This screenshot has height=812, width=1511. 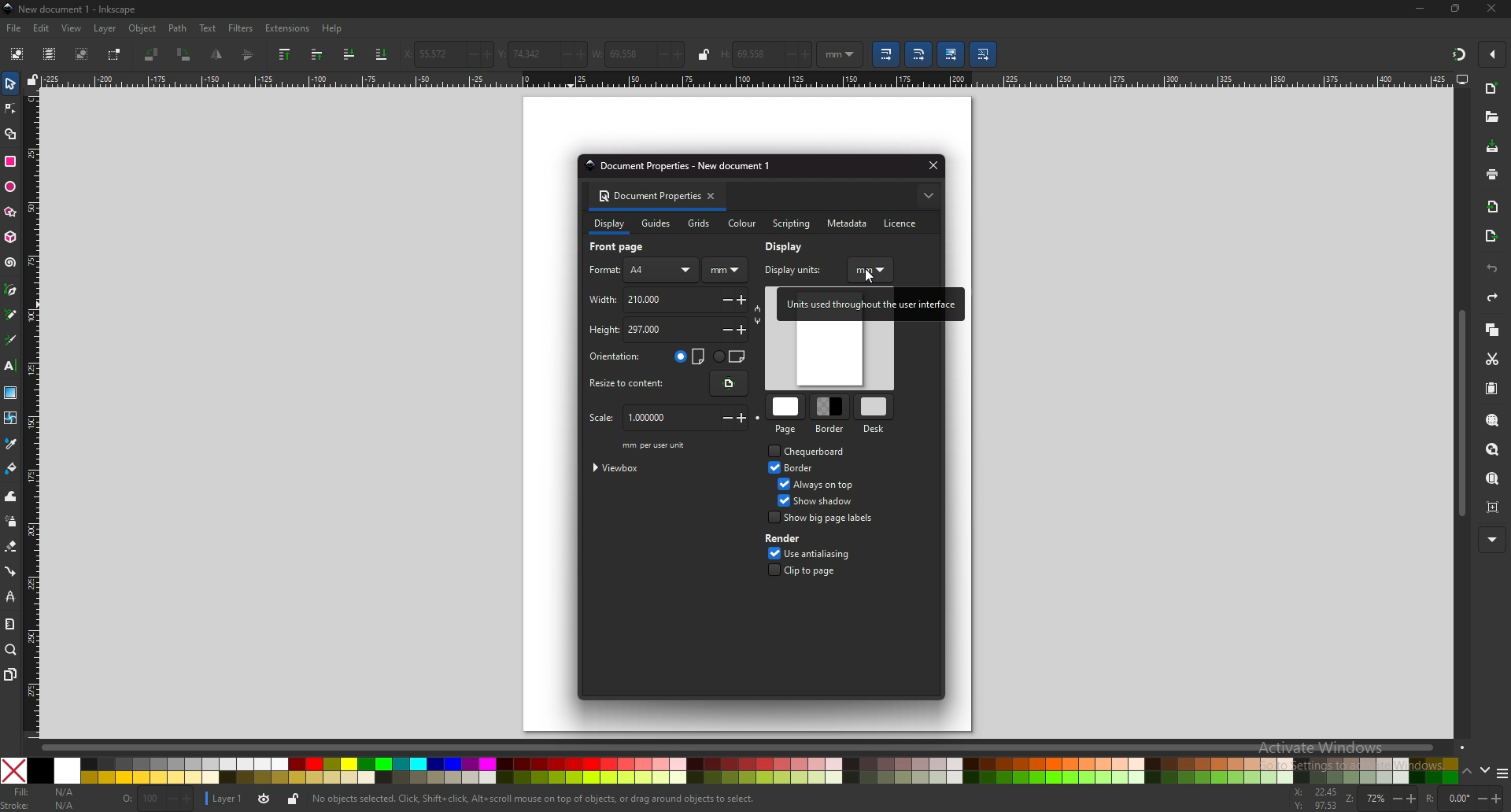 I want to click on -, so click(x=1478, y=798).